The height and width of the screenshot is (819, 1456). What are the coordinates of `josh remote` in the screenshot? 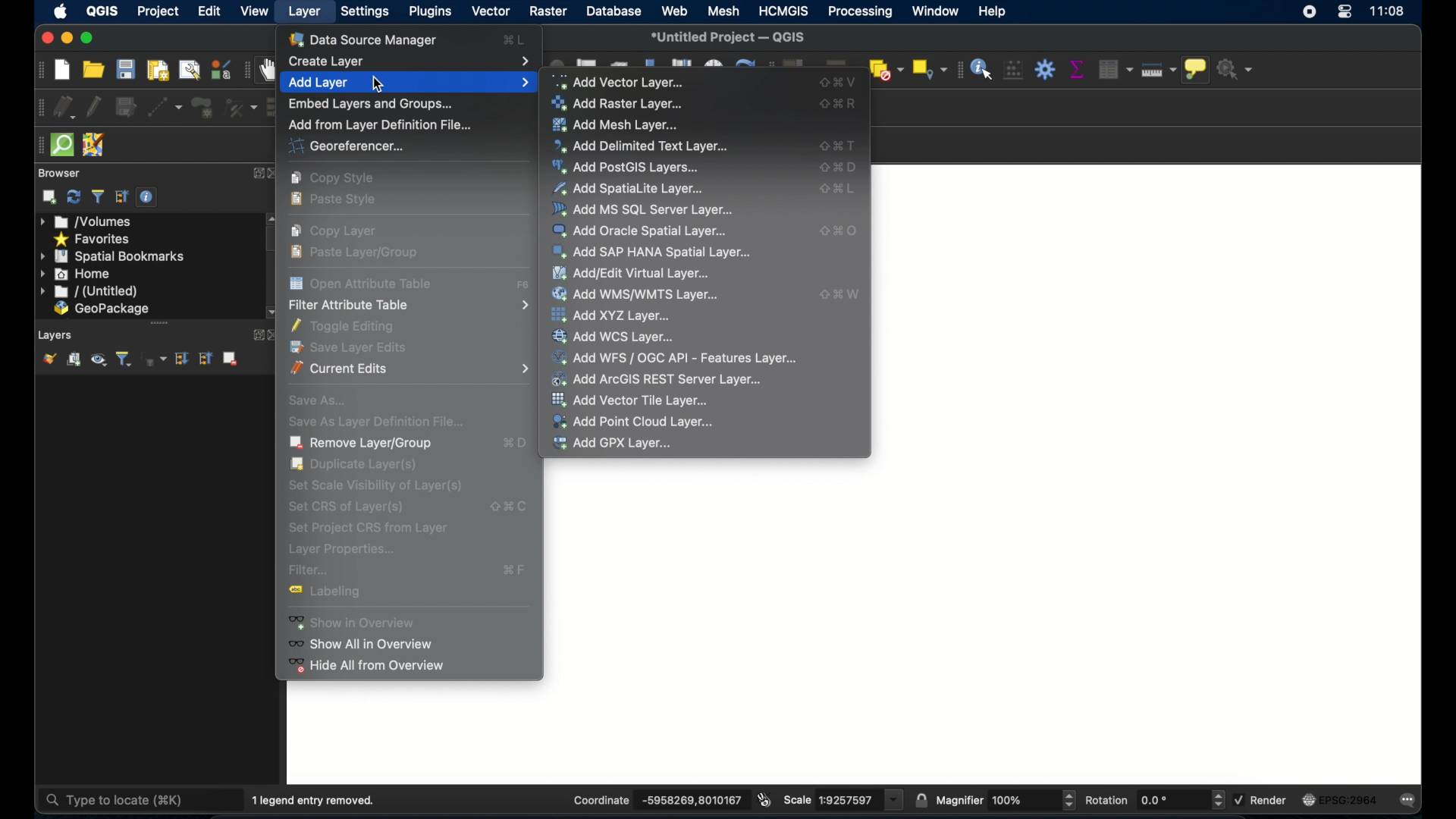 It's located at (93, 144).